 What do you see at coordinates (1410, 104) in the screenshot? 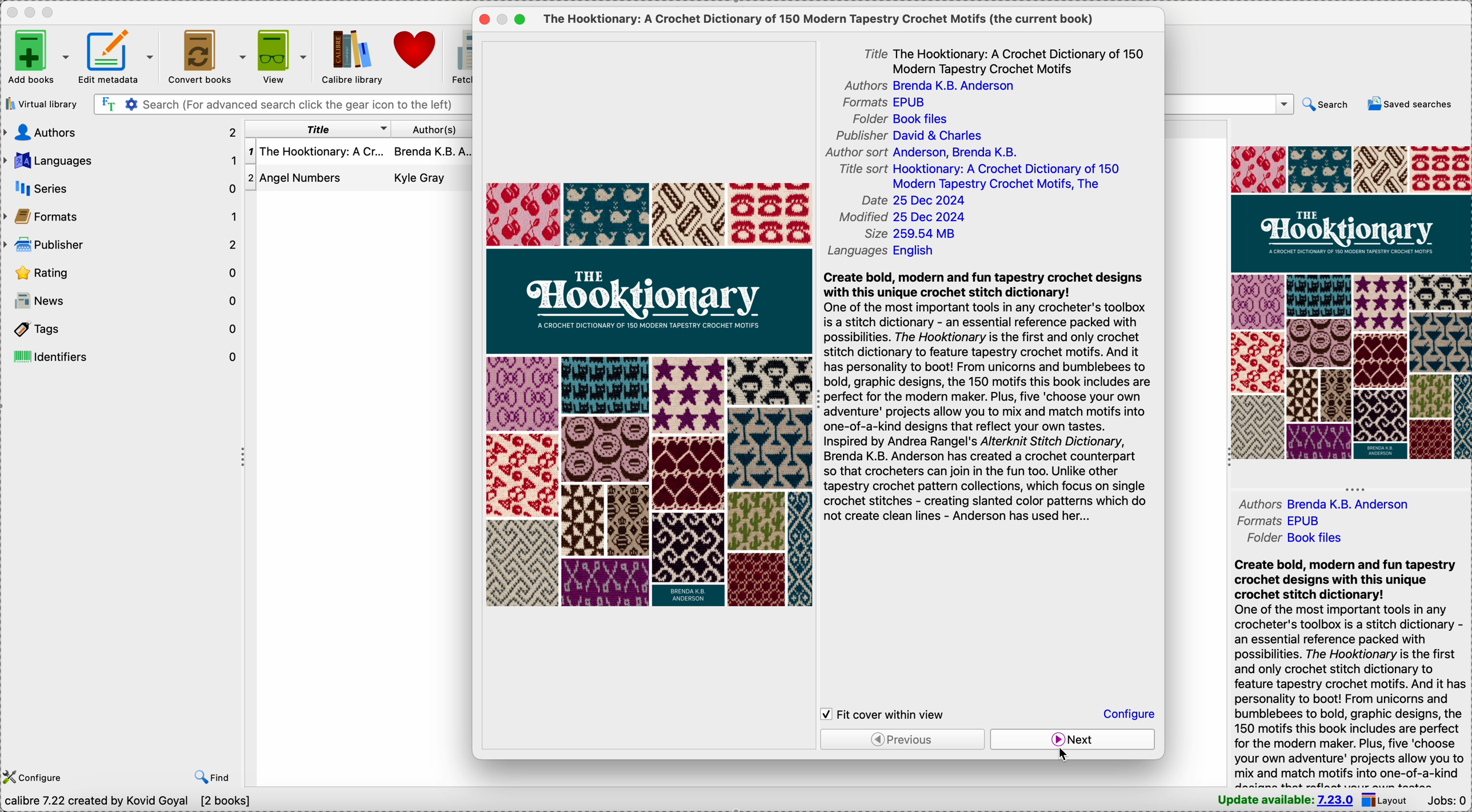
I see `saved searches` at bounding box center [1410, 104].